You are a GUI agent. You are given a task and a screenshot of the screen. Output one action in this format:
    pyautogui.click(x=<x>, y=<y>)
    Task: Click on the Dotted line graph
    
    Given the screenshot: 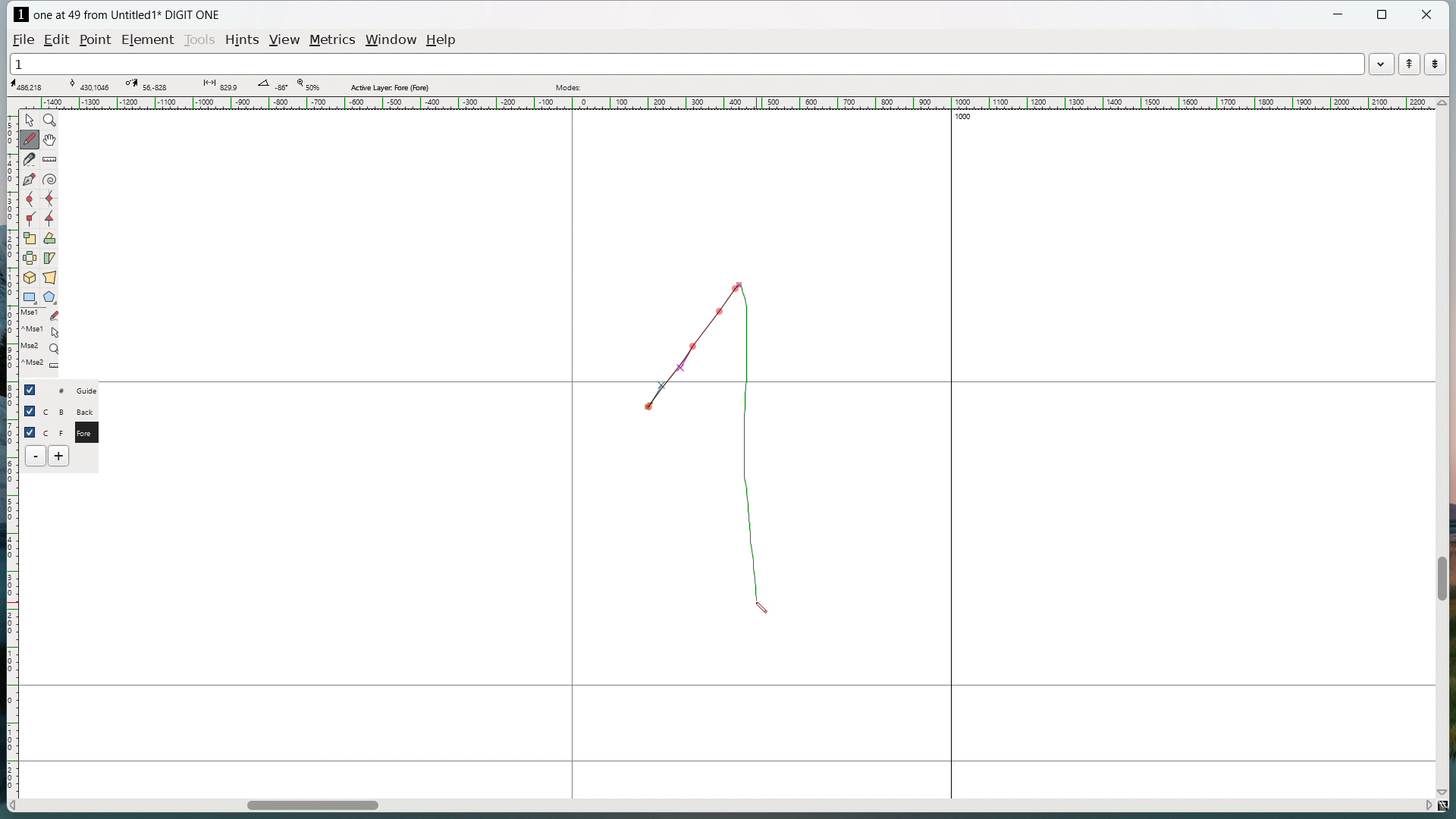 What is the action you would take?
    pyautogui.click(x=714, y=435)
    